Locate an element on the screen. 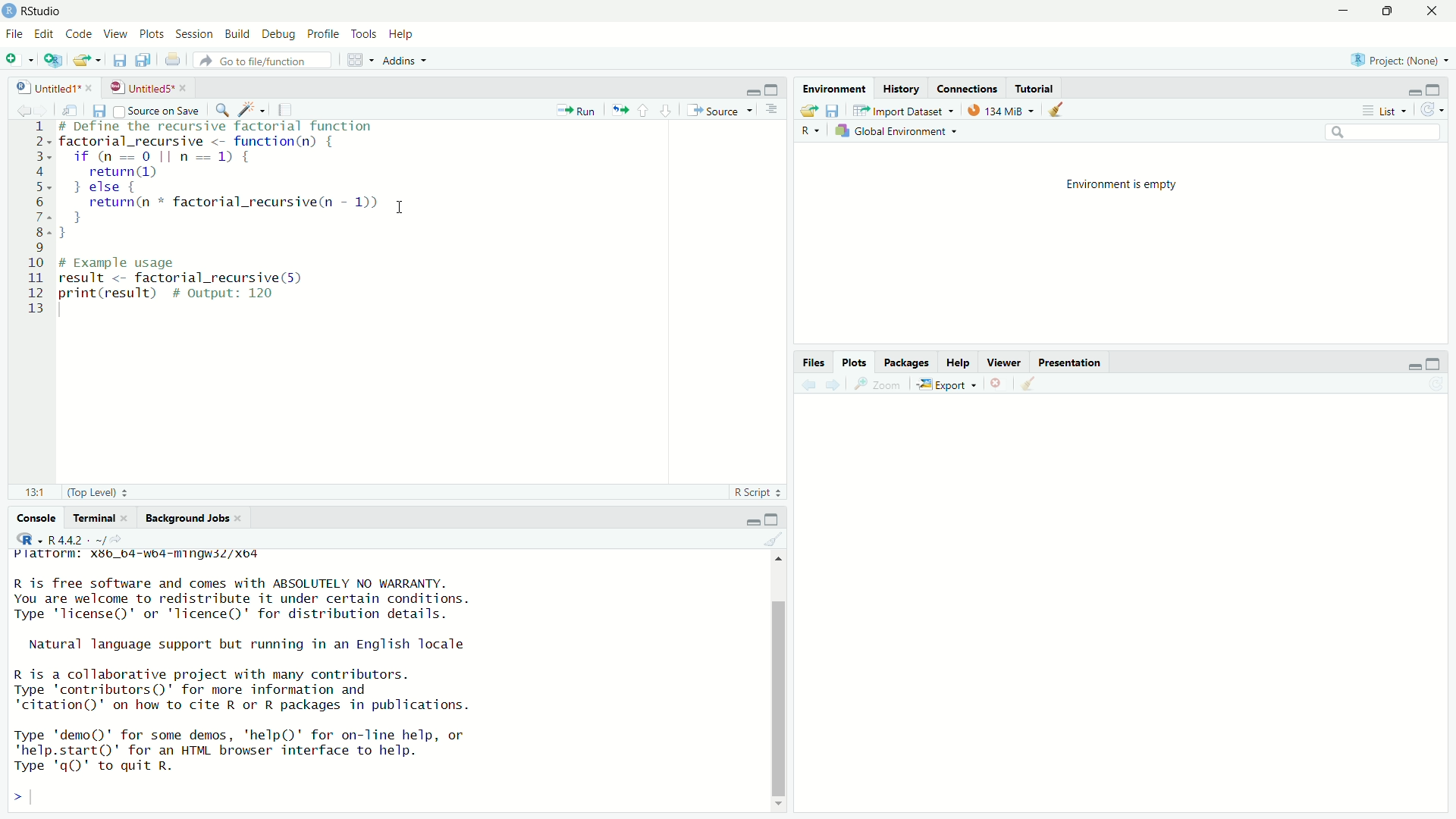  Go forward to the next source location (Ctrl + F10) is located at coordinates (836, 383).